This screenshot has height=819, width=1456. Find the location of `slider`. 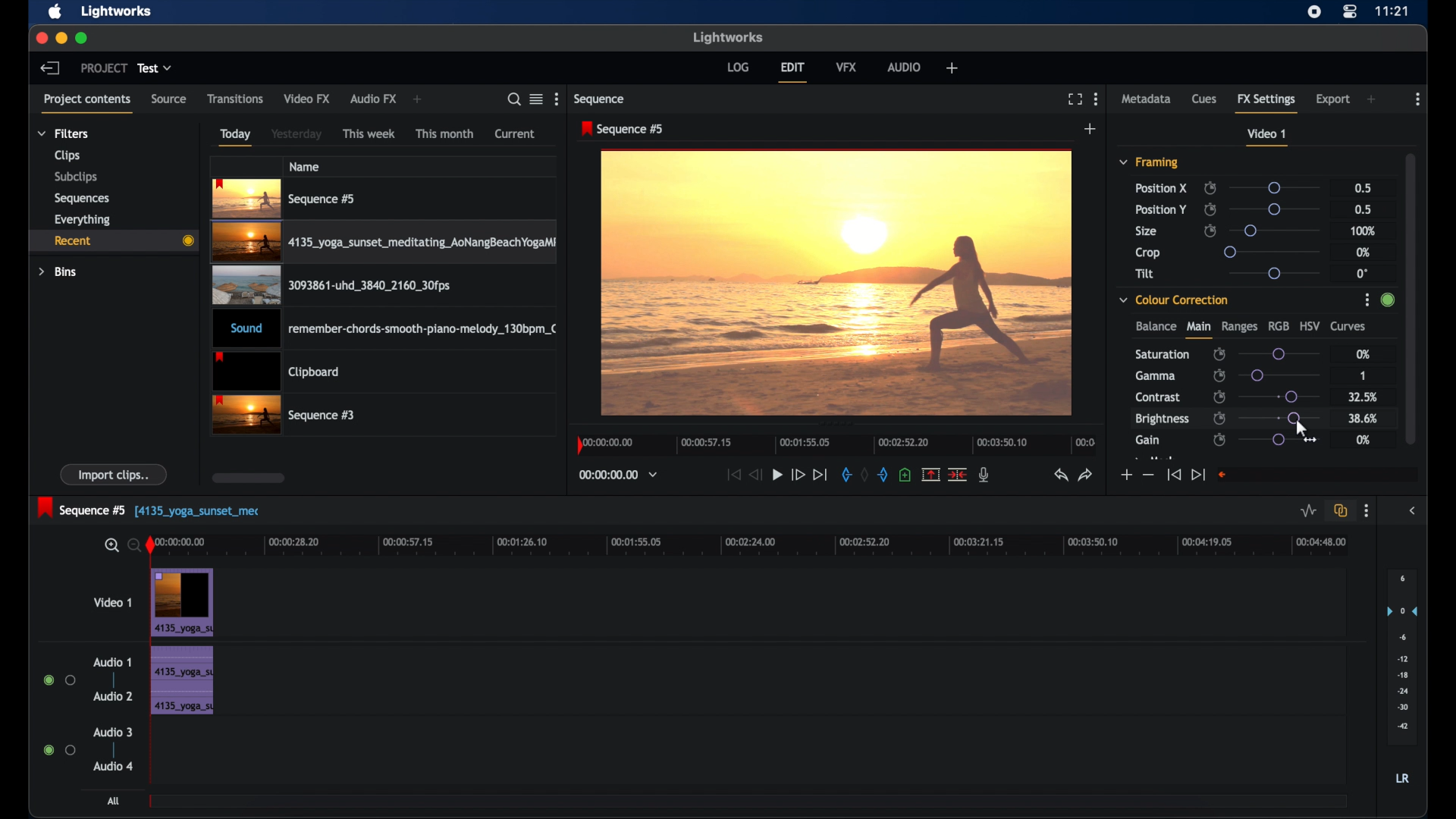

slider is located at coordinates (1272, 273).